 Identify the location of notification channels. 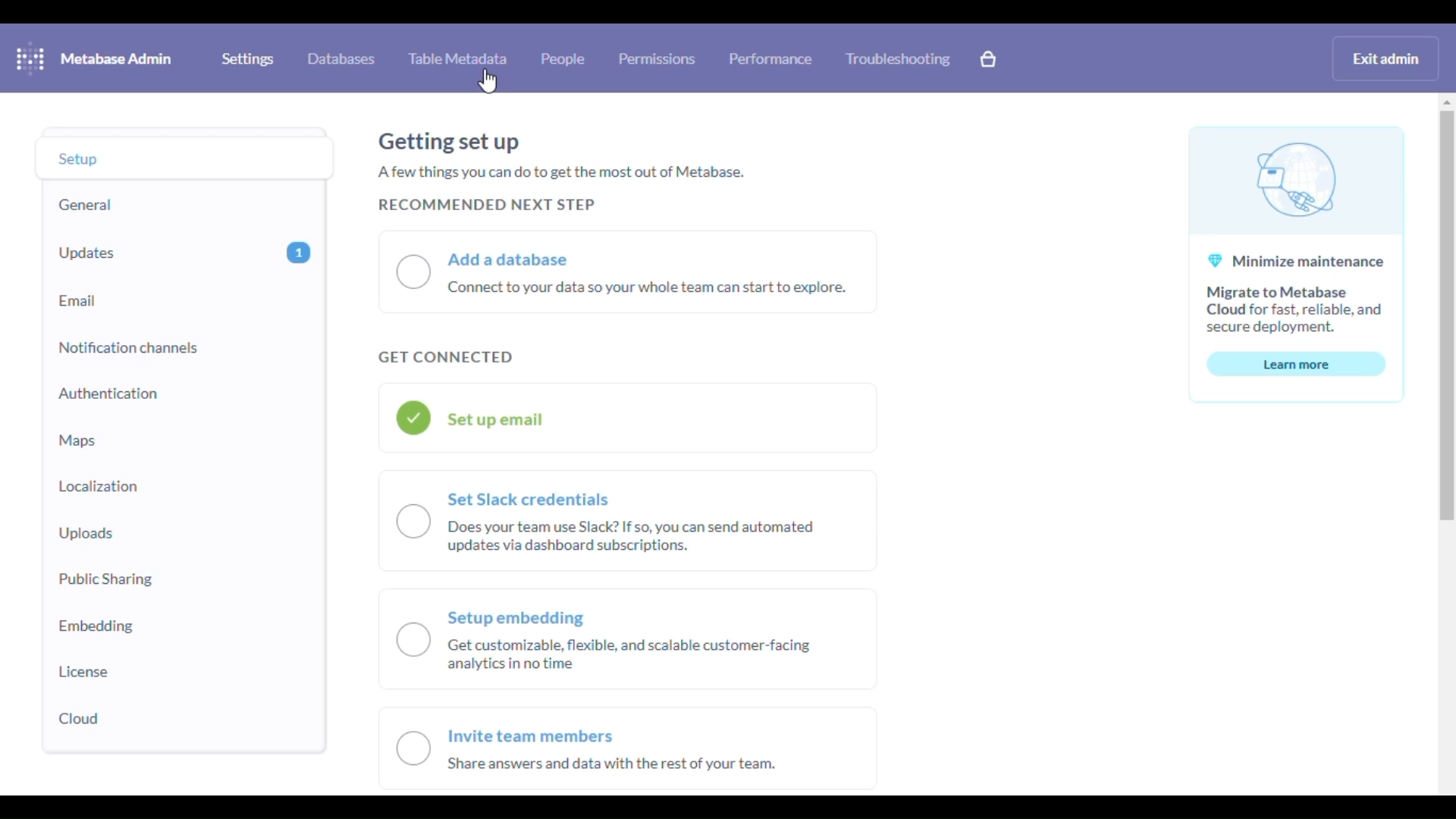
(128, 347).